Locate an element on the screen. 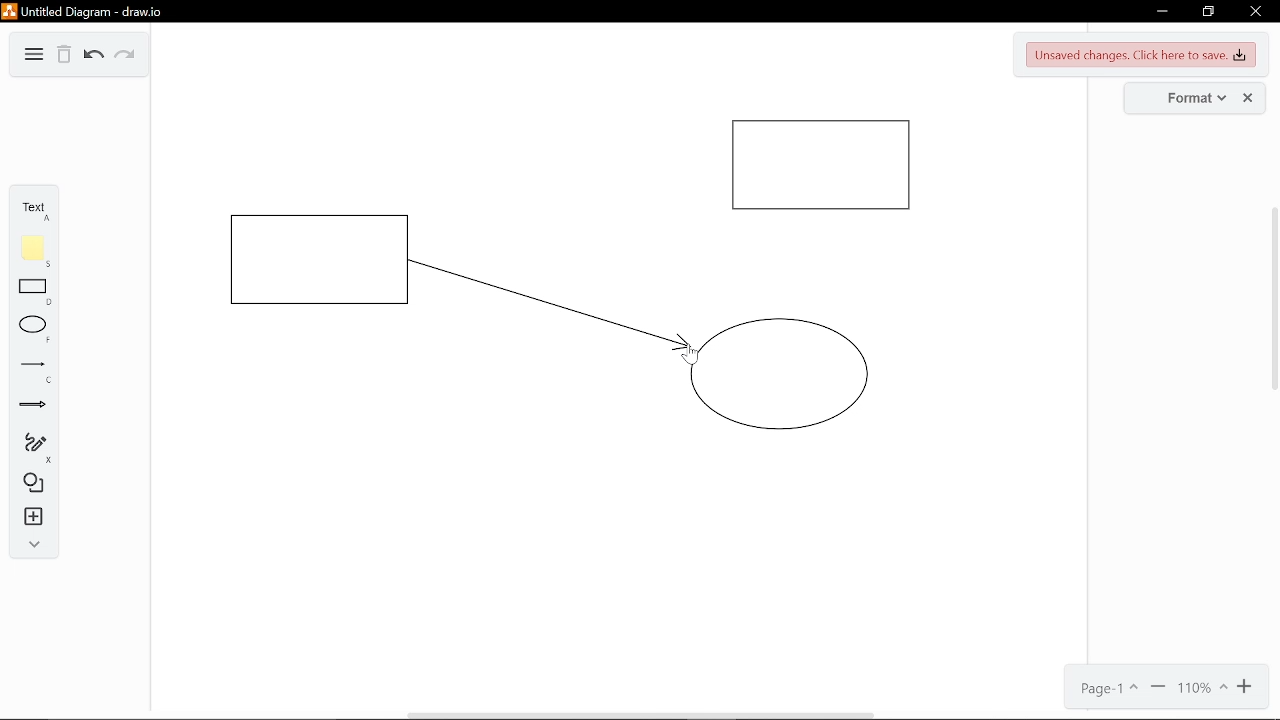  Unsaved changes. Click here to save is located at coordinates (1142, 53).